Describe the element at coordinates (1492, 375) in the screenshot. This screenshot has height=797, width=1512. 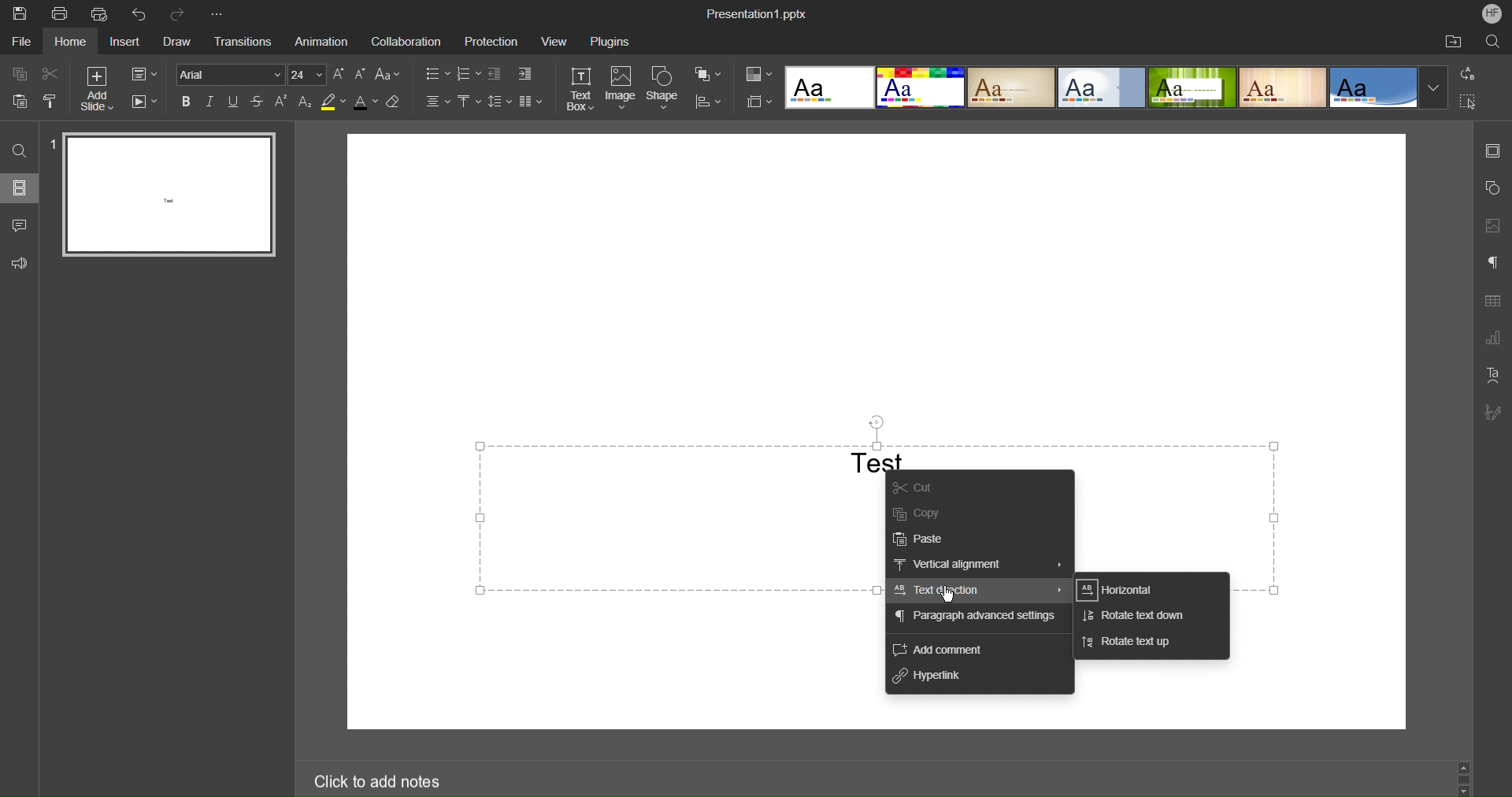
I see `Text Art` at that location.